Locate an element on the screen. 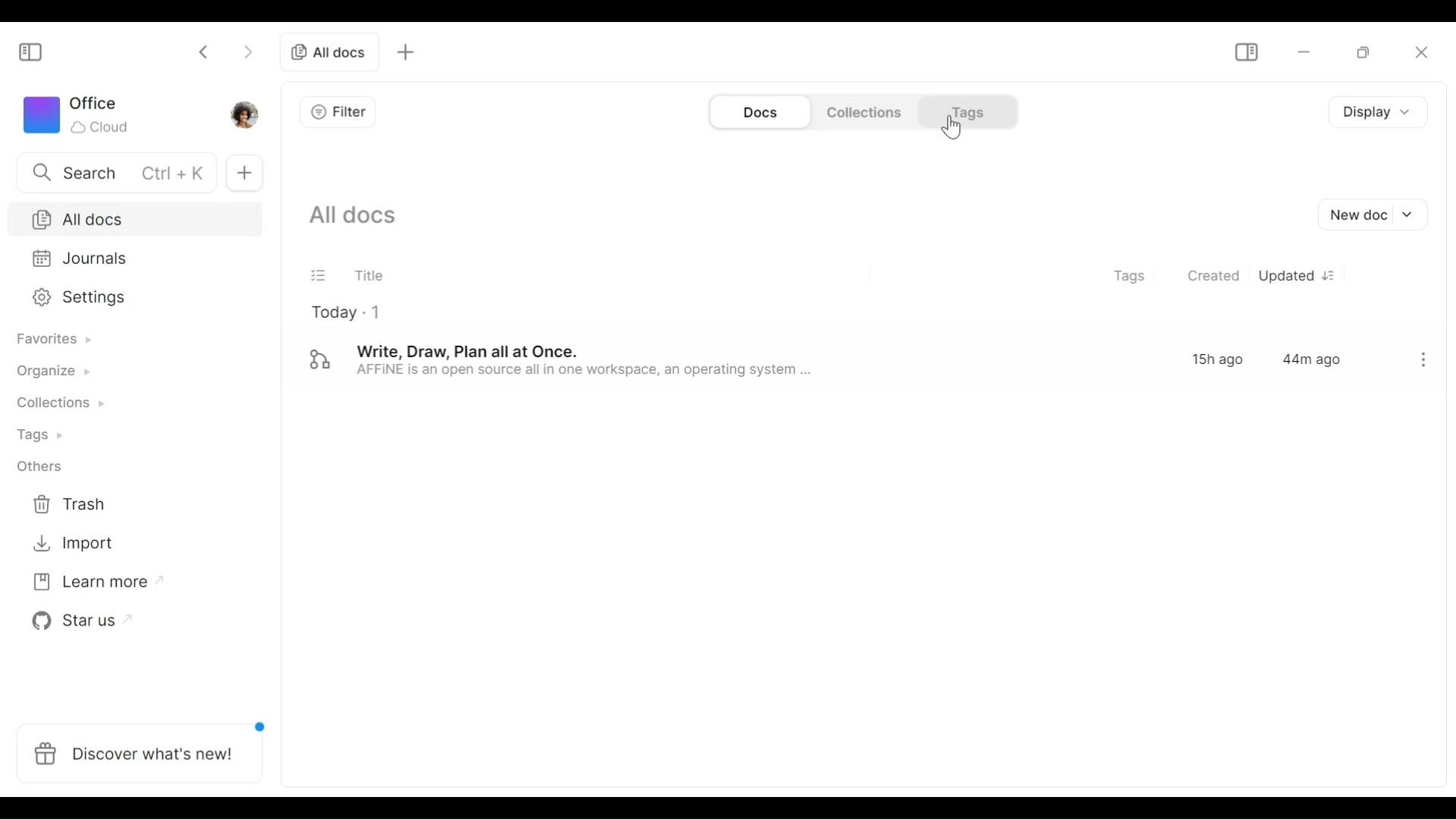 This screenshot has width=1456, height=819. Created is located at coordinates (1210, 276).